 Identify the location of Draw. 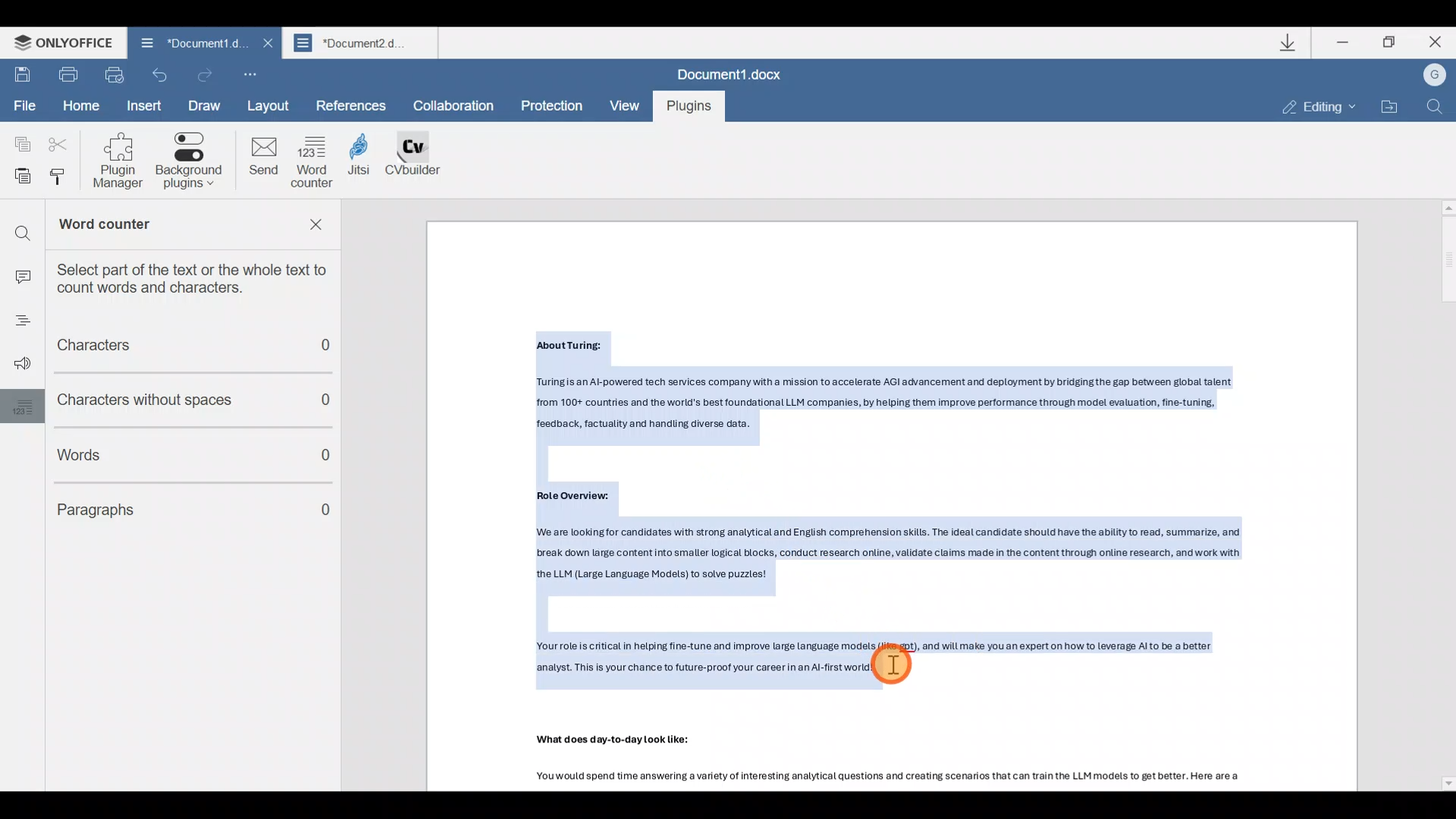
(206, 106).